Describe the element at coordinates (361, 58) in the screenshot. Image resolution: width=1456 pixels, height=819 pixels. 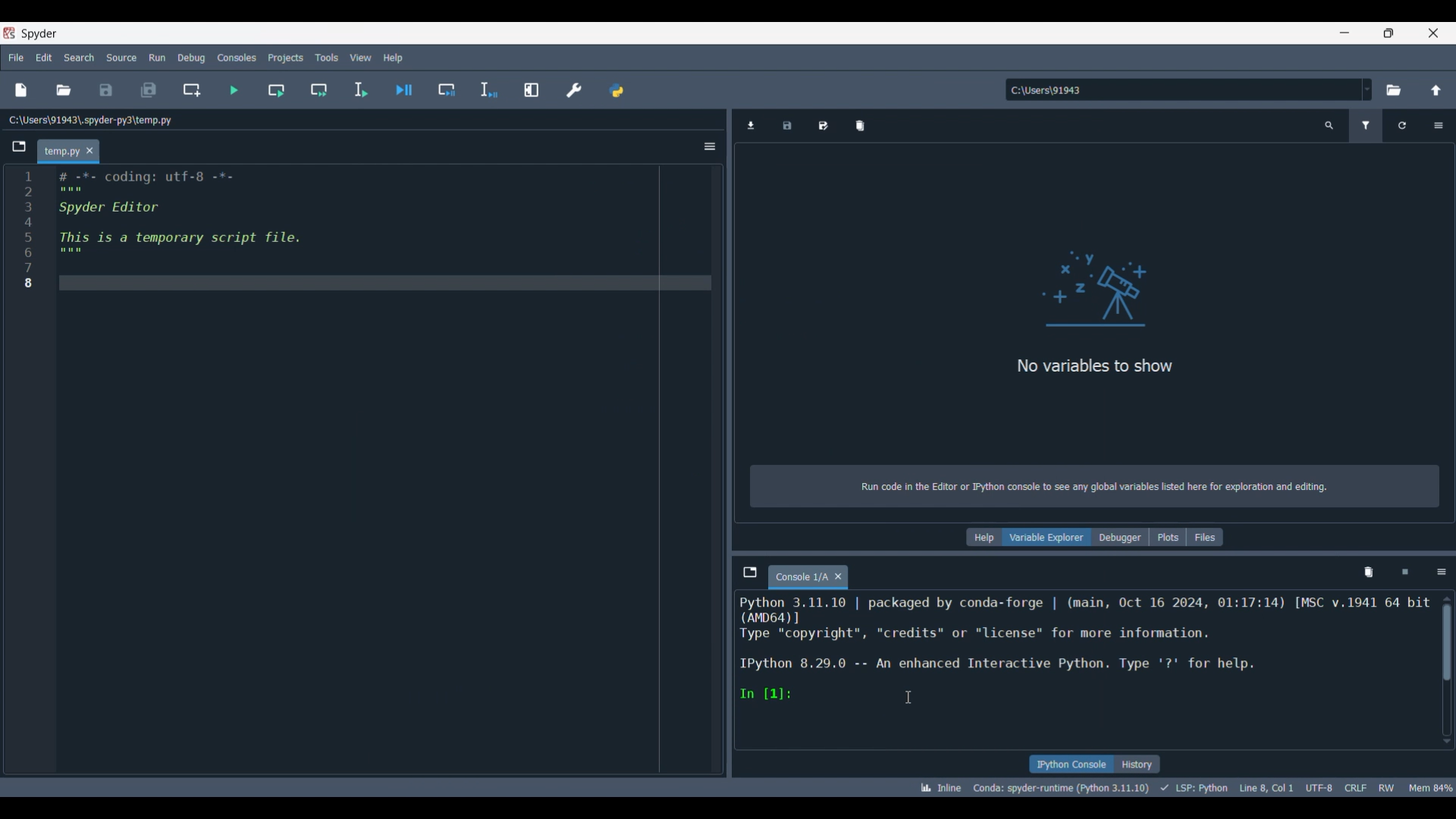
I see `View menu` at that location.